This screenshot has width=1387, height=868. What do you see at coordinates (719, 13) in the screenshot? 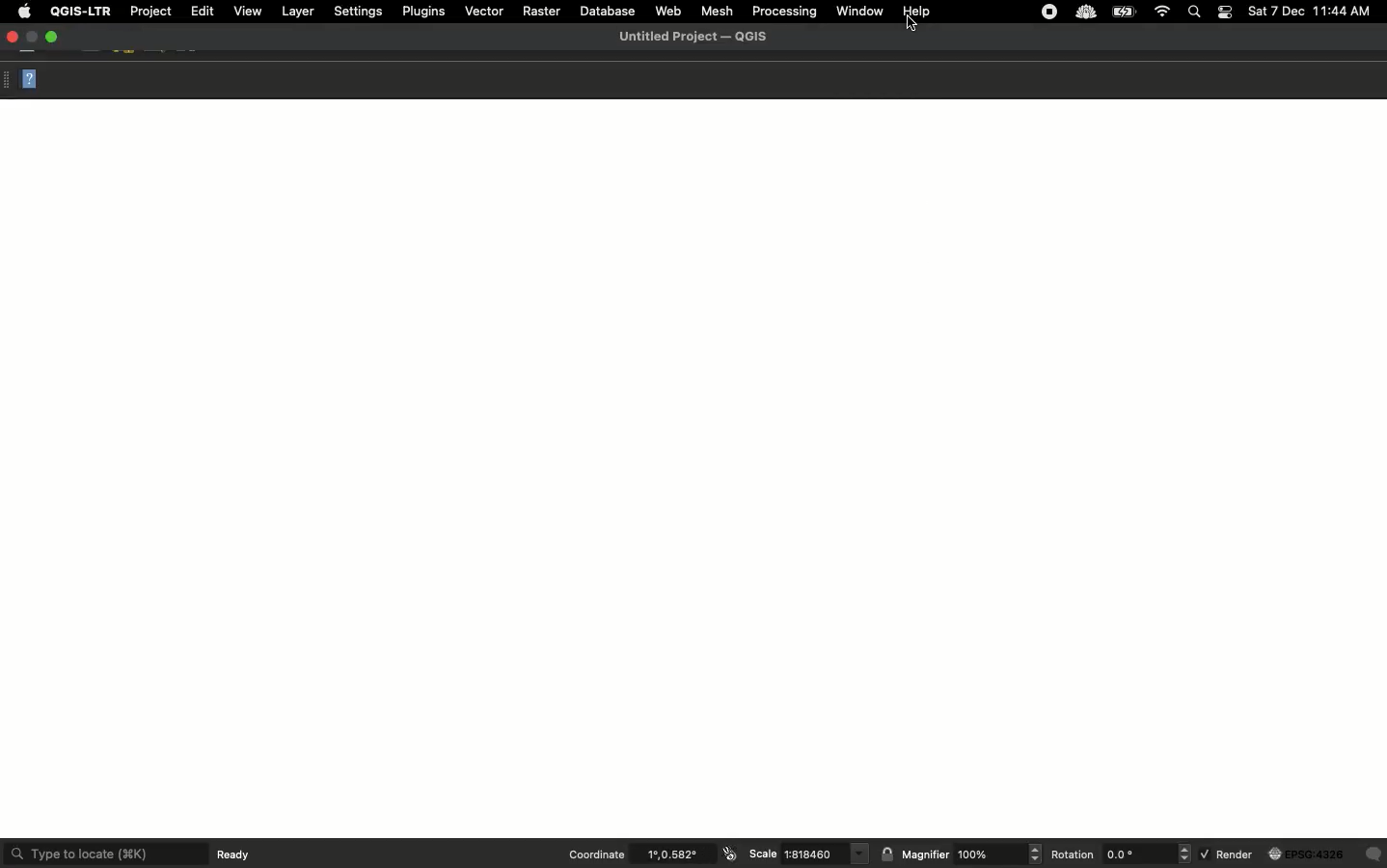
I see `Mesh` at bounding box center [719, 13].